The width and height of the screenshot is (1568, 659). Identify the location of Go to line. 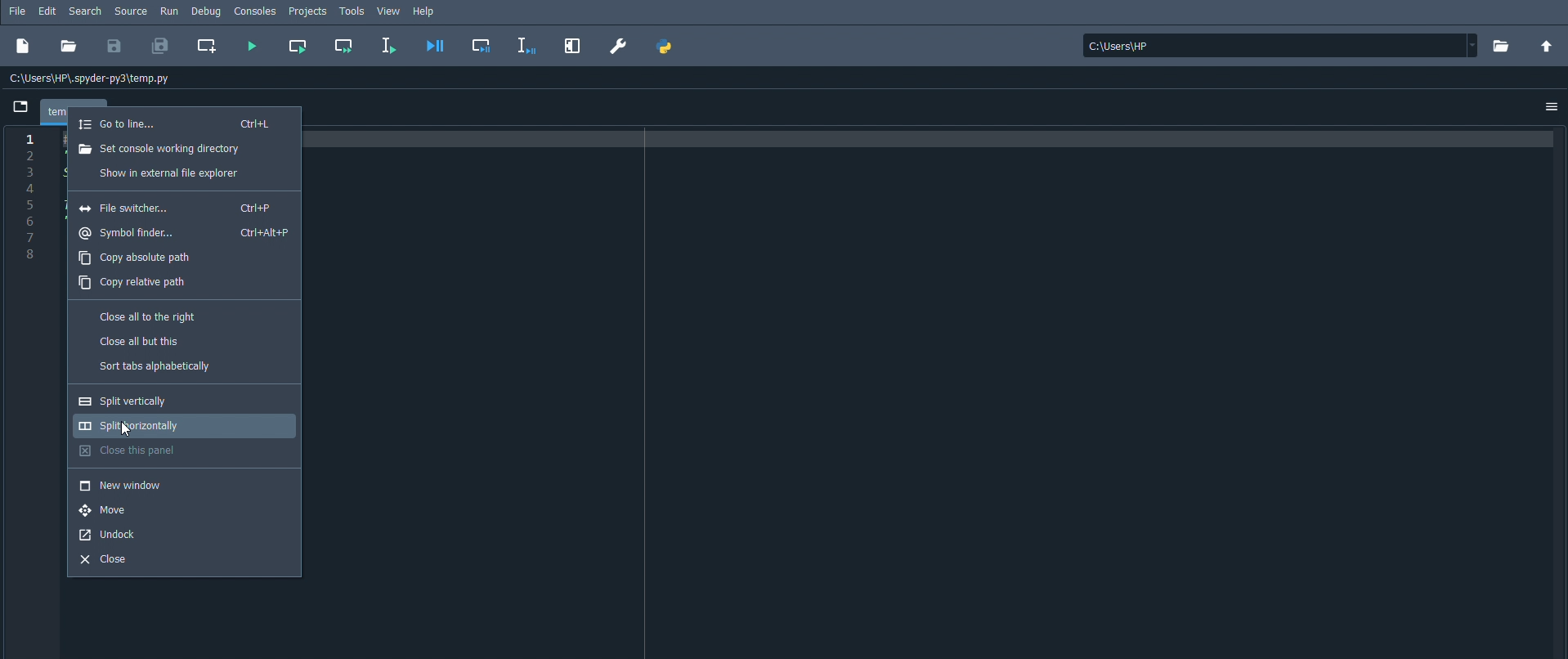
(178, 123).